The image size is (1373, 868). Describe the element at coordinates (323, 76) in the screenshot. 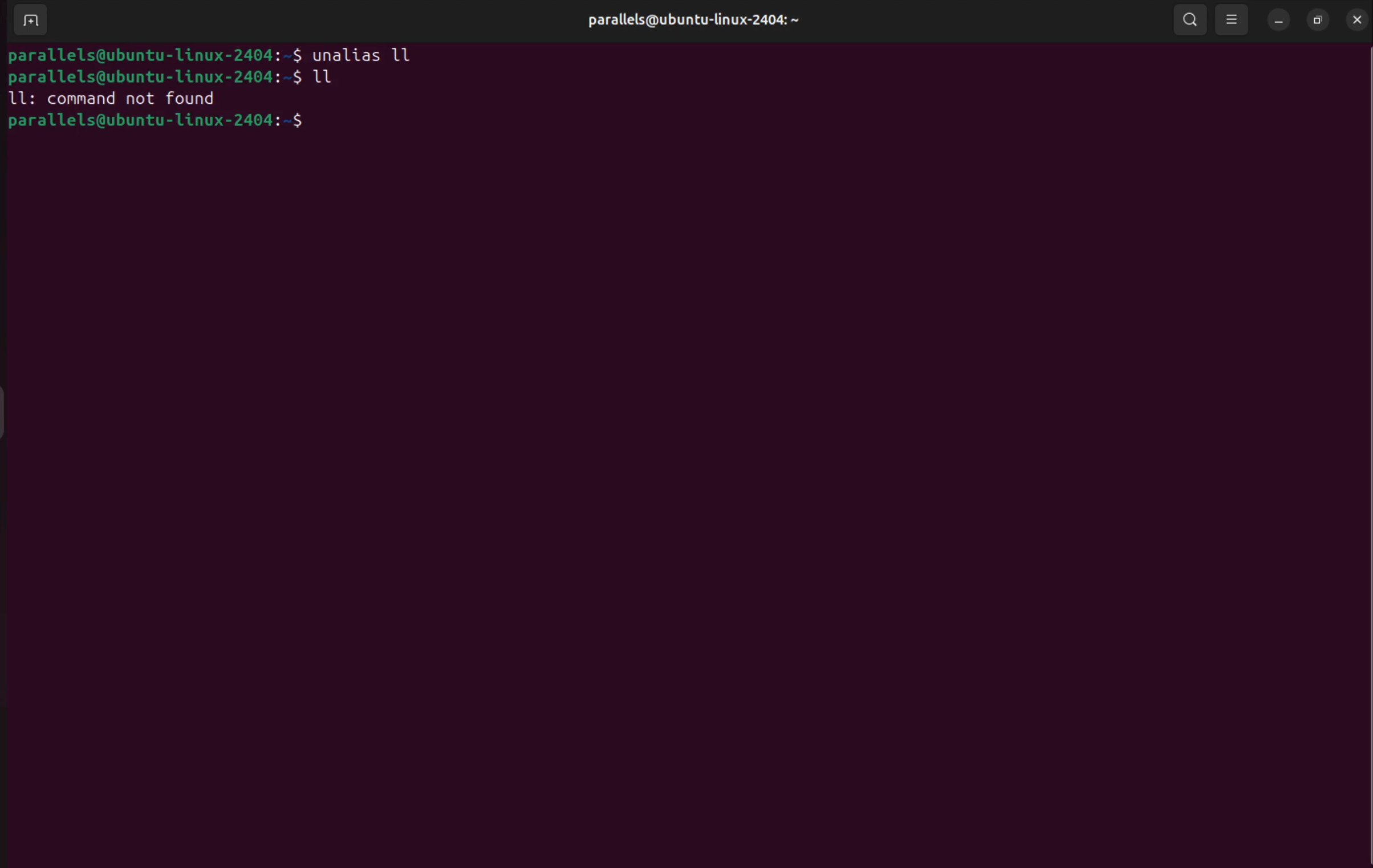

I see `ll` at that location.